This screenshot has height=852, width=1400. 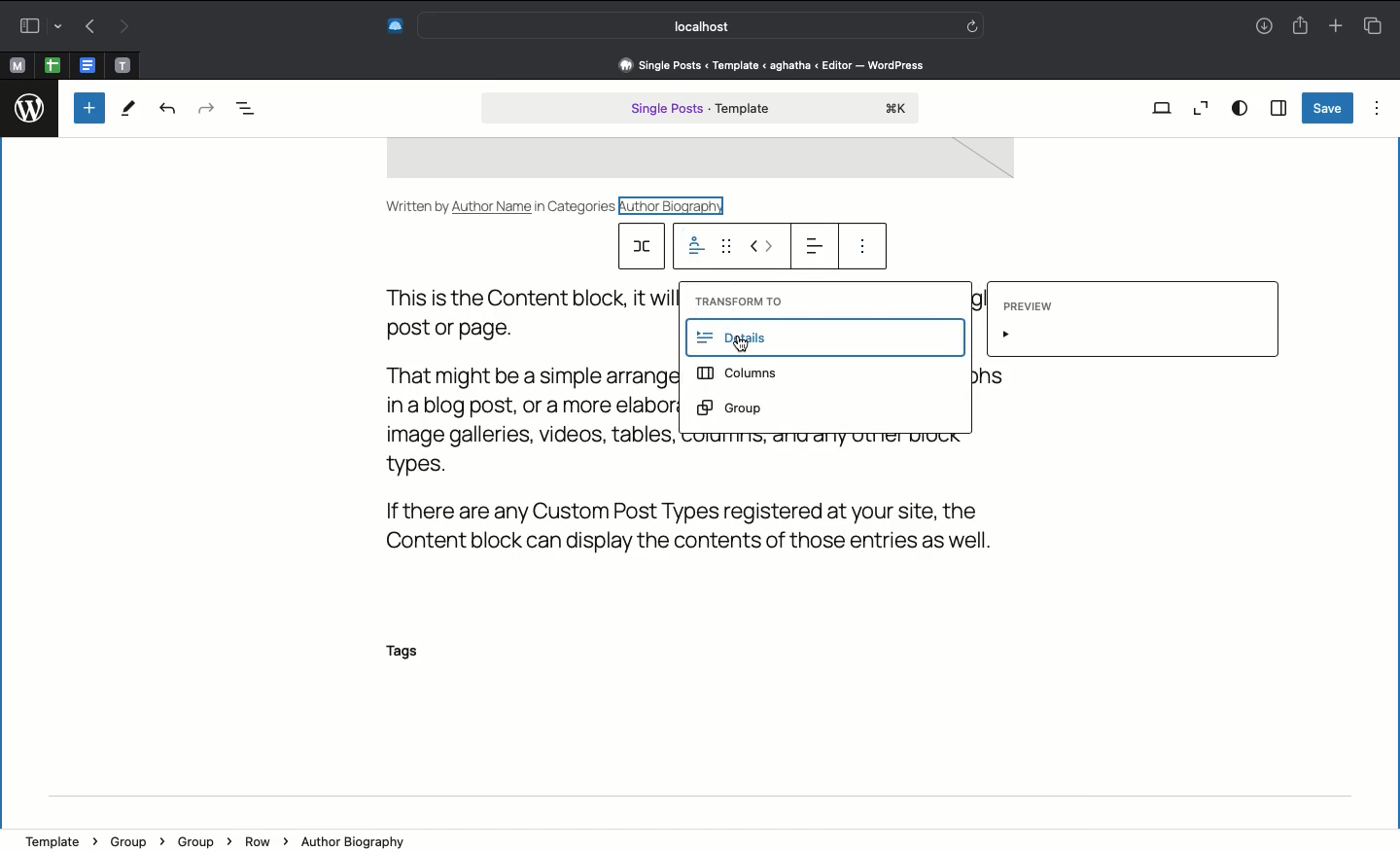 What do you see at coordinates (129, 111) in the screenshot?
I see `Tools` at bounding box center [129, 111].